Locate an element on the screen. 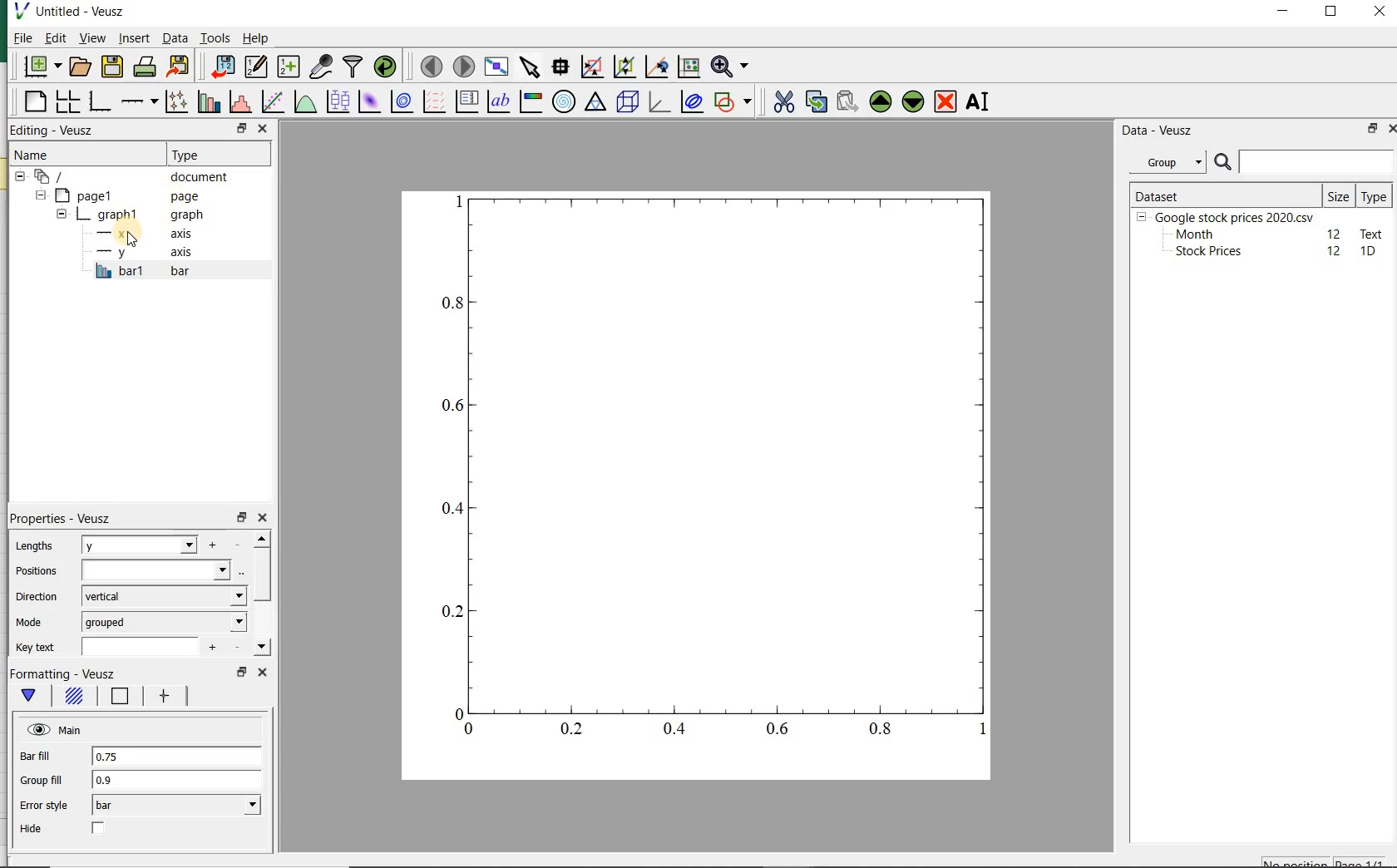  restore is located at coordinates (241, 516).